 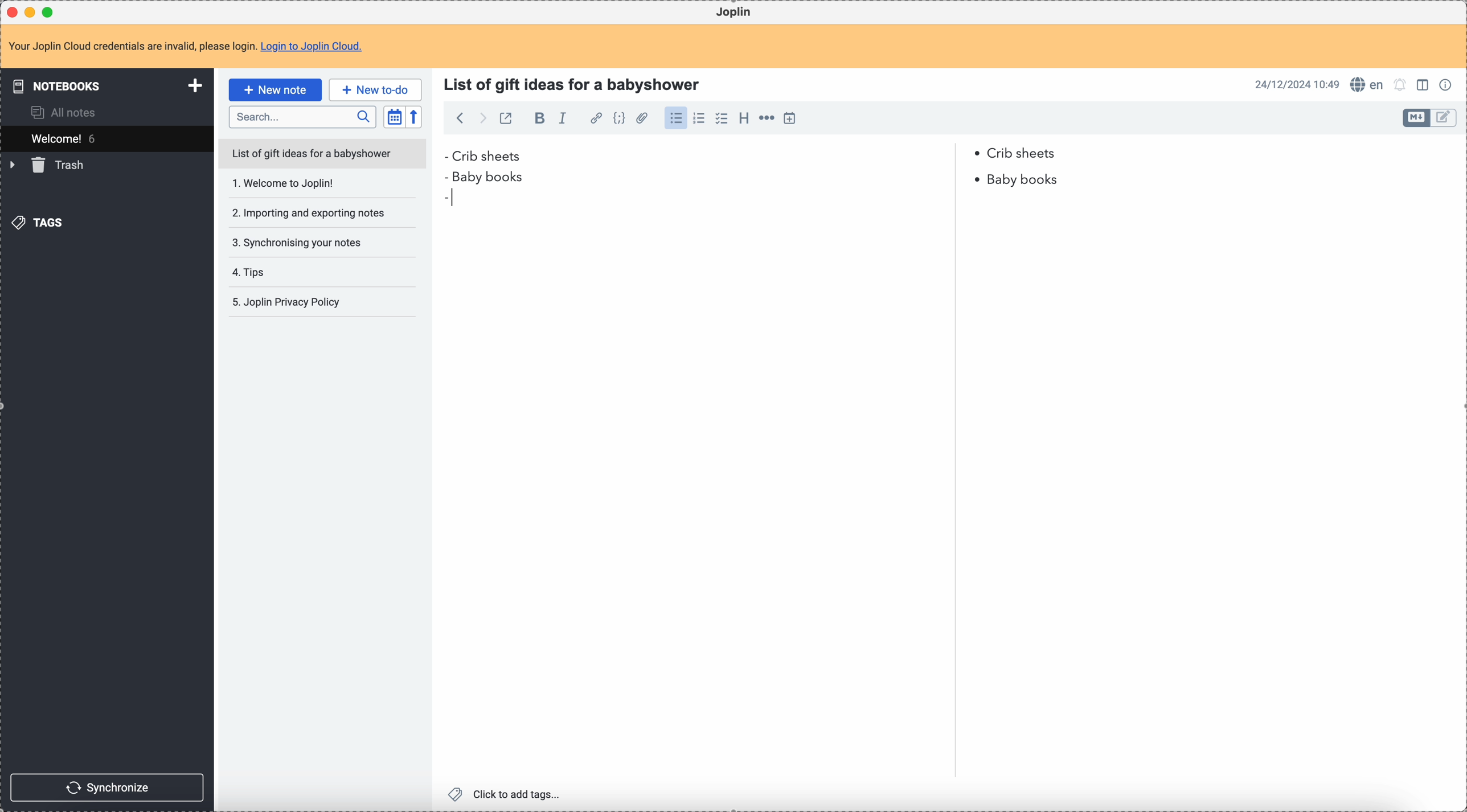 I want to click on Joplin, so click(x=736, y=13).